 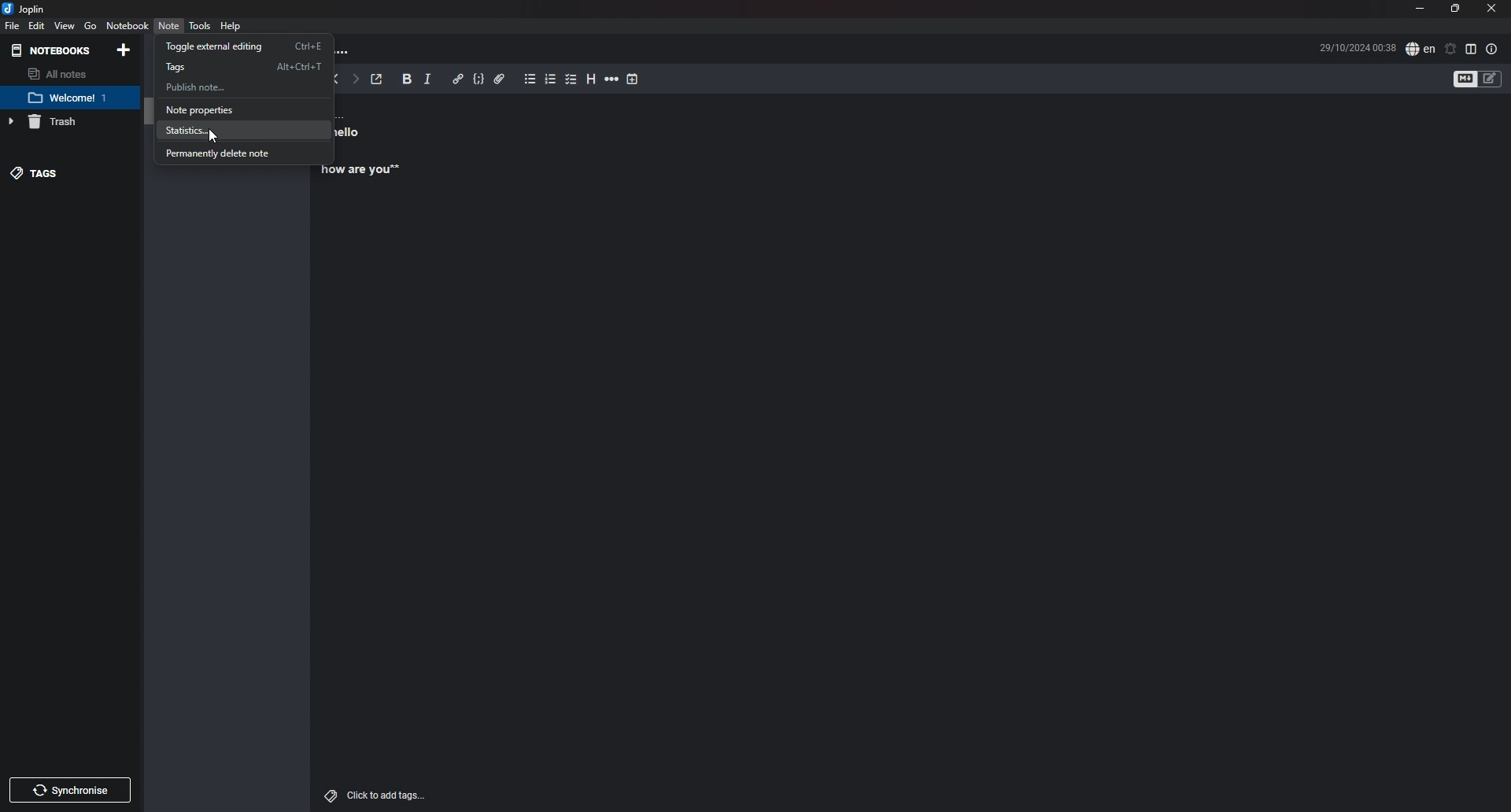 I want to click on Toggle external editing, so click(x=379, y=79).